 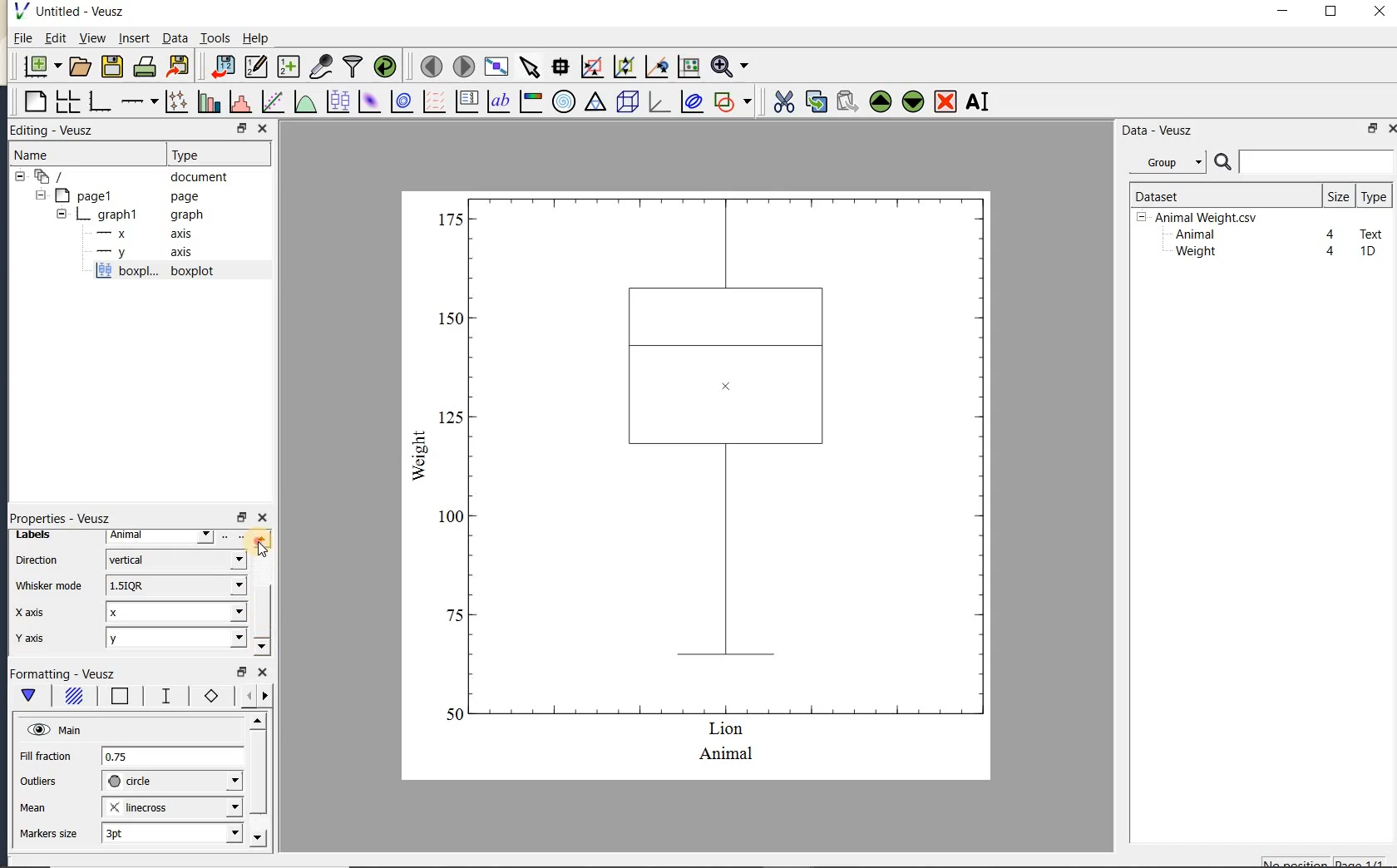 I want to click on CLOSE, so click(x=262, y=128).